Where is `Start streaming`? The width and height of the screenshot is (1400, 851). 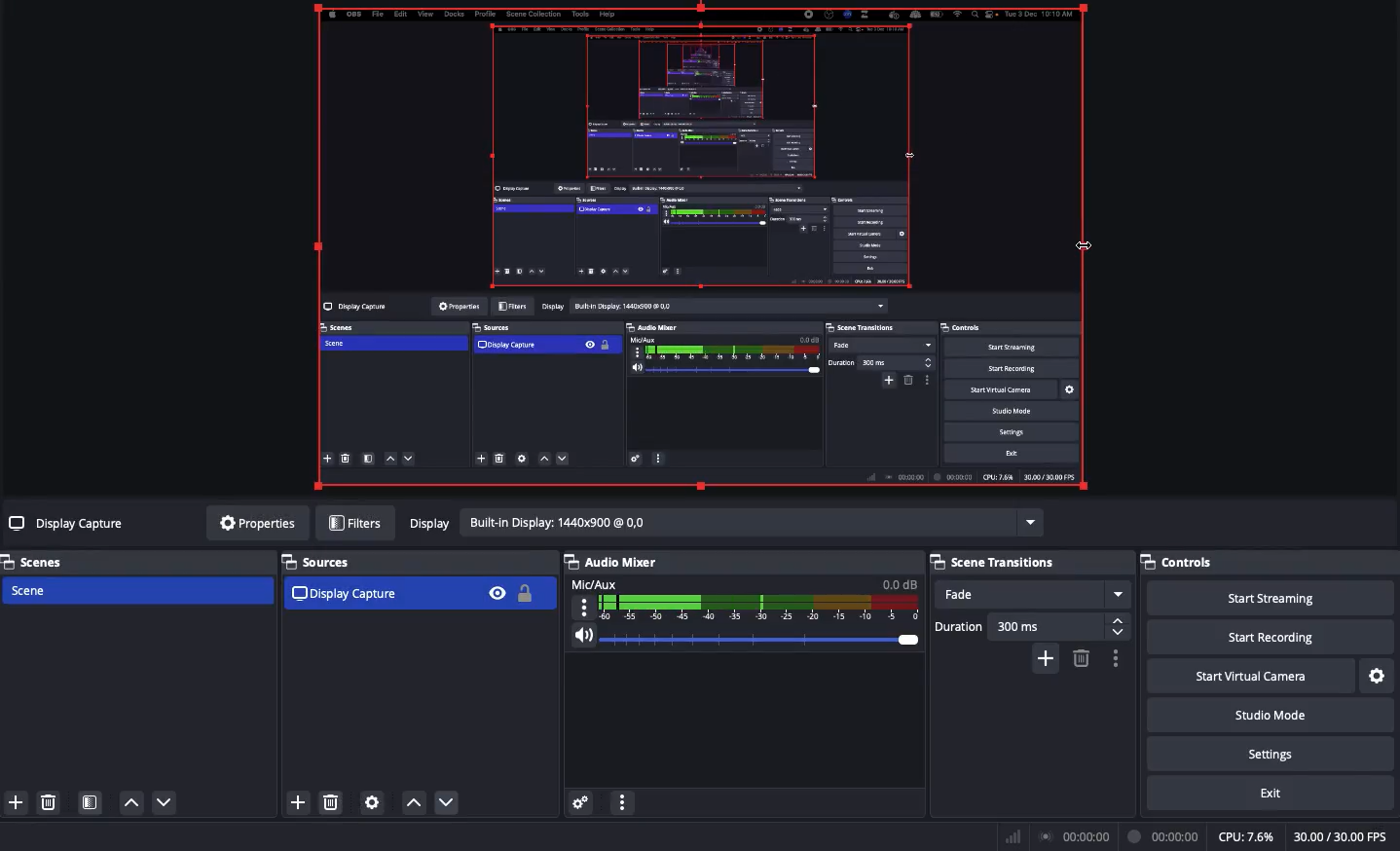
Start streaming is located at coordinates (1272, 596).